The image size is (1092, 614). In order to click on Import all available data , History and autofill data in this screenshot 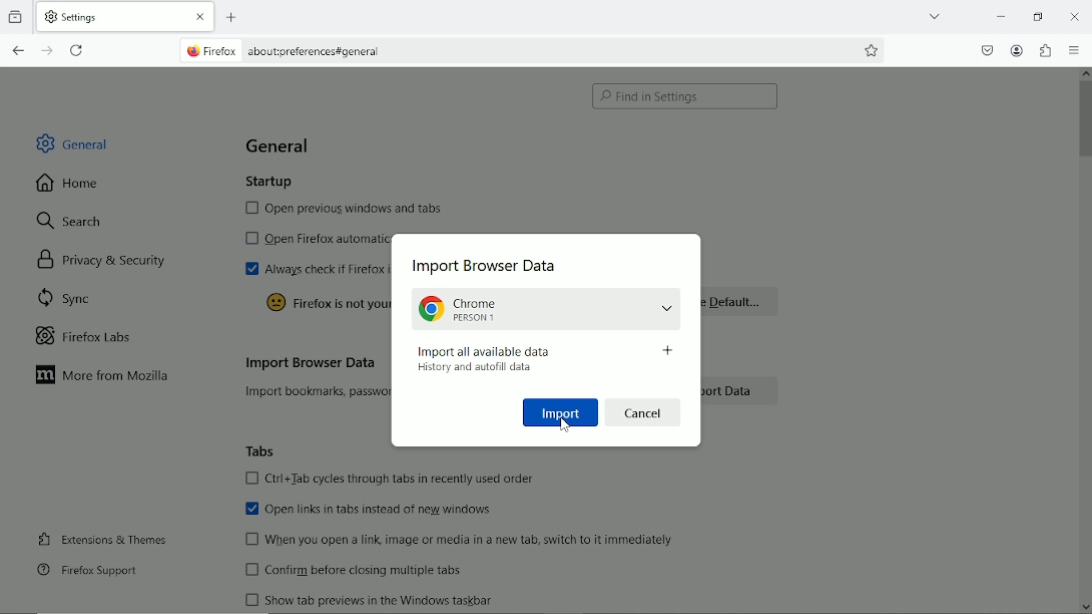, I will do `click(541, 360)`.